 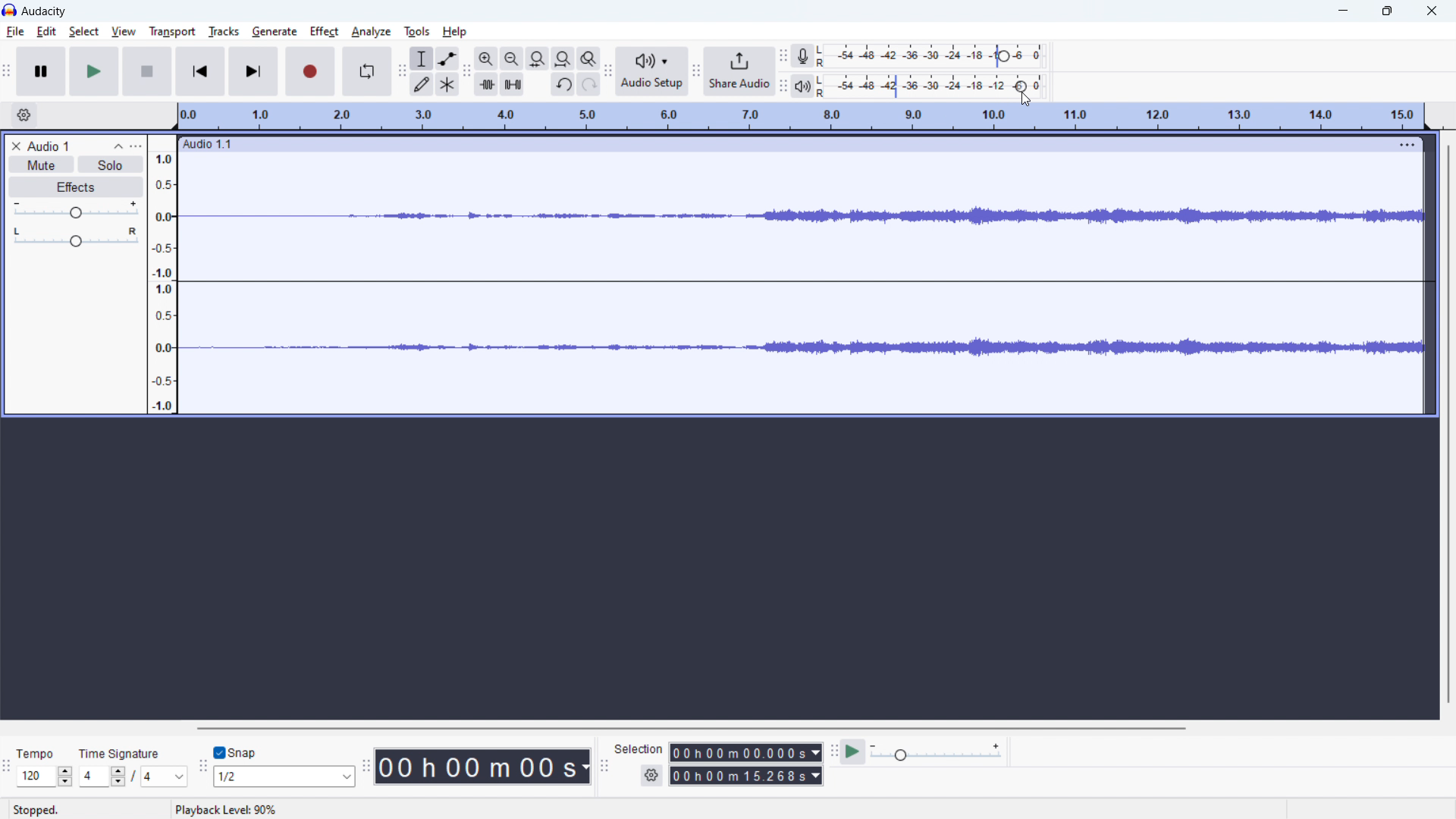 What do you see at coordinates (75, 186) in the screenshot?
I see `effects` at bounding box center [75, 186].